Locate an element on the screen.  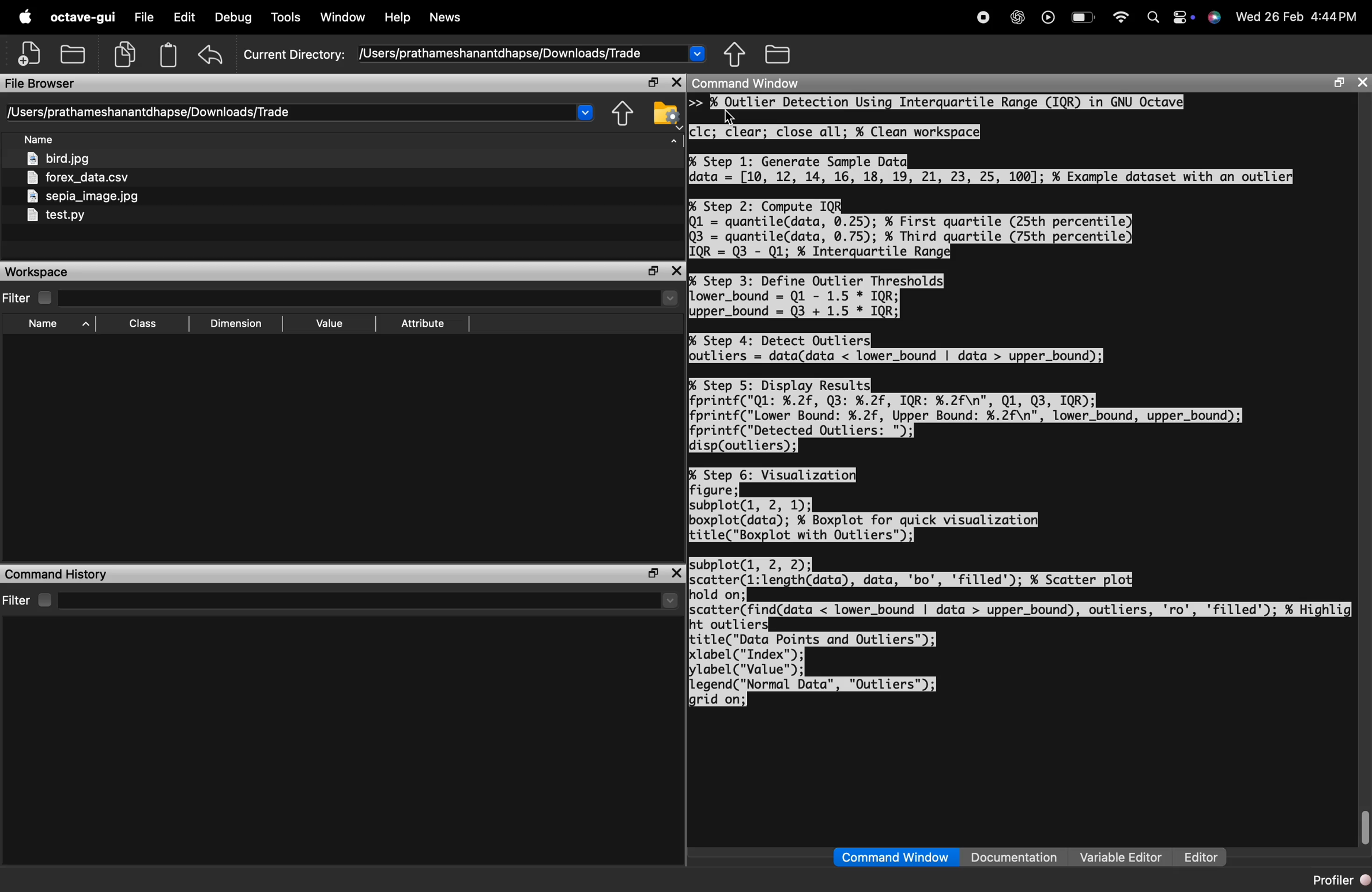
Edit is located at coordinates (184, 16).